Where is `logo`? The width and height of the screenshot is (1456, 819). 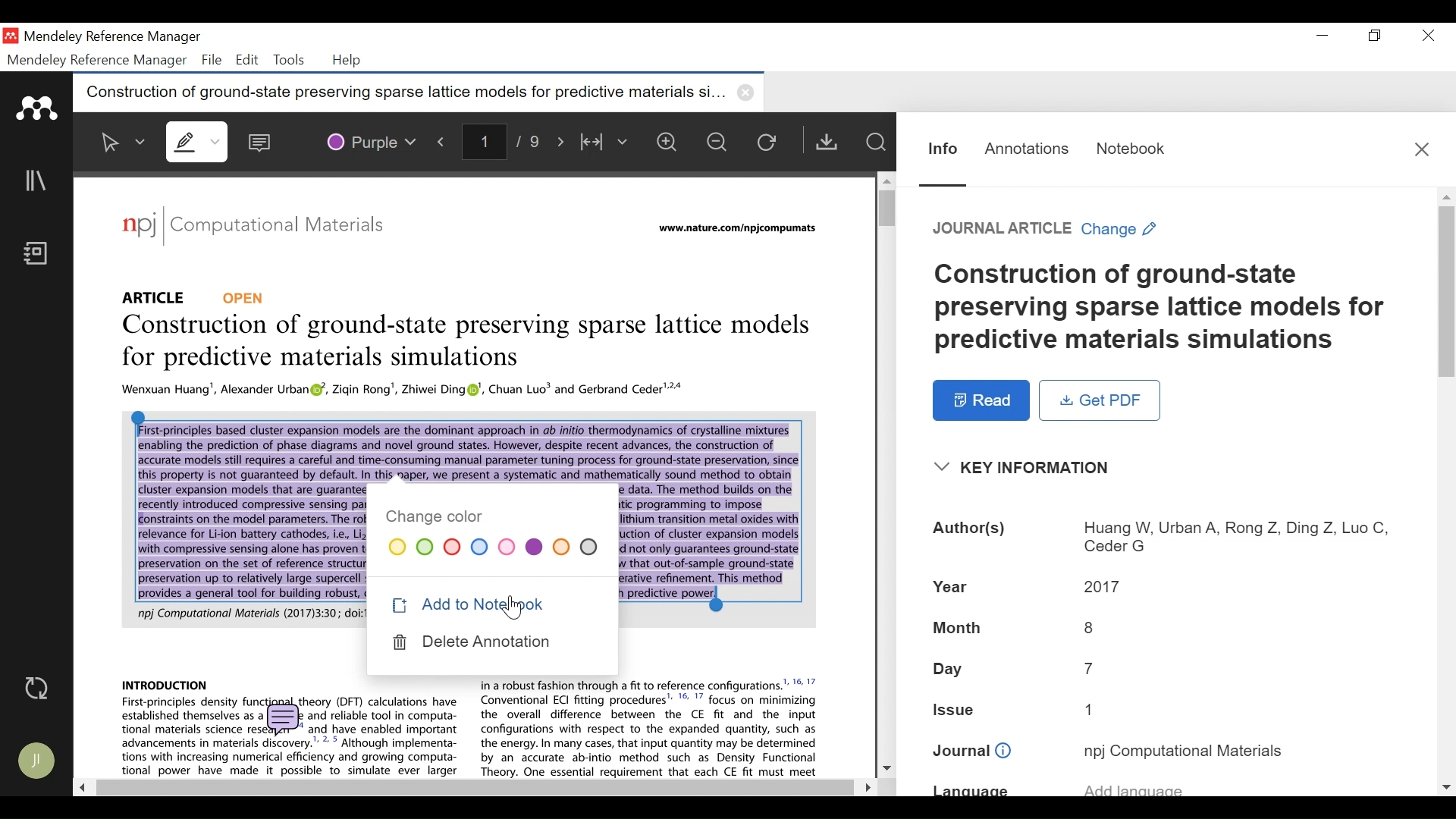 logo is located at coordinates (139, 224).